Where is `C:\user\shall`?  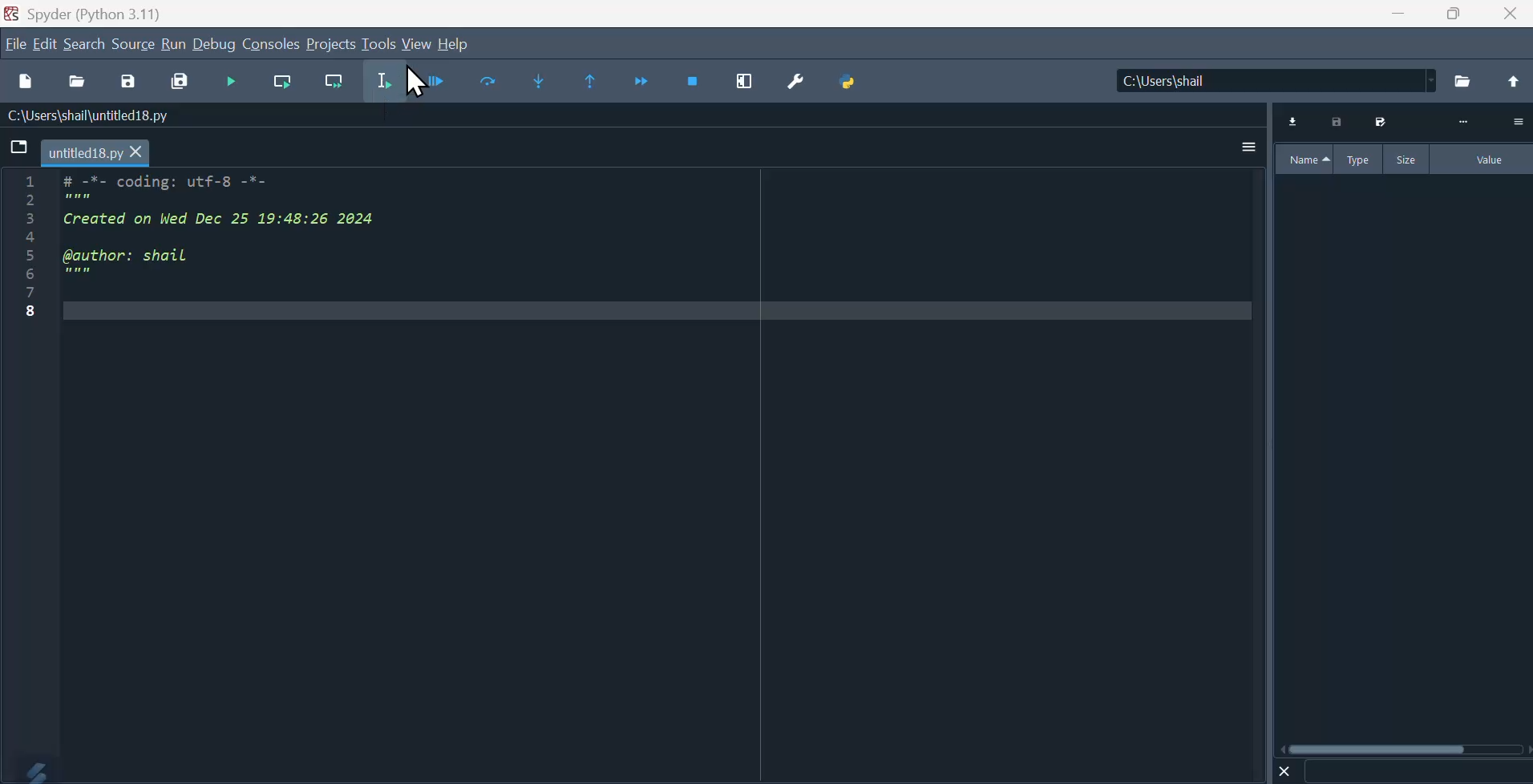
C:\user\shall is located at coordinates (1277, 80).